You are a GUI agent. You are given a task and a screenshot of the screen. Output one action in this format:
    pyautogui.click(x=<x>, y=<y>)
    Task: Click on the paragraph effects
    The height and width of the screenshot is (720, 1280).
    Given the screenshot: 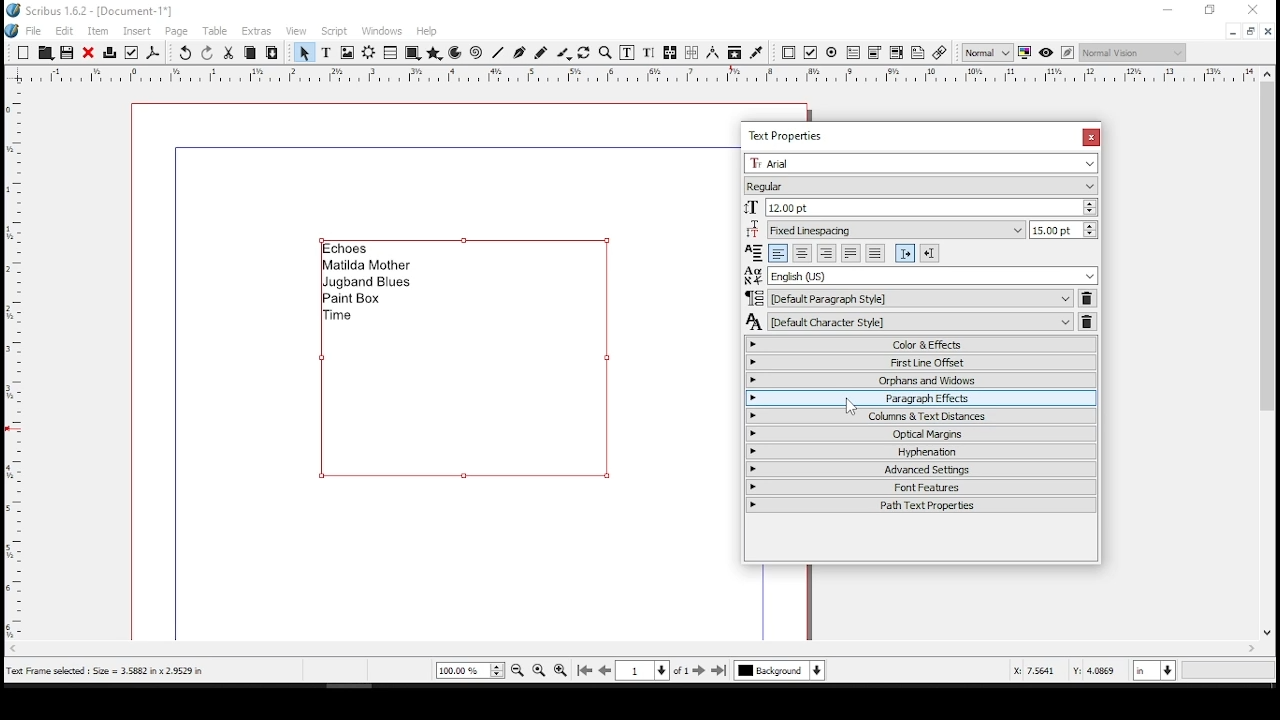 What is the action you would take?
    pyautogui.click(x=922, y=398)
    